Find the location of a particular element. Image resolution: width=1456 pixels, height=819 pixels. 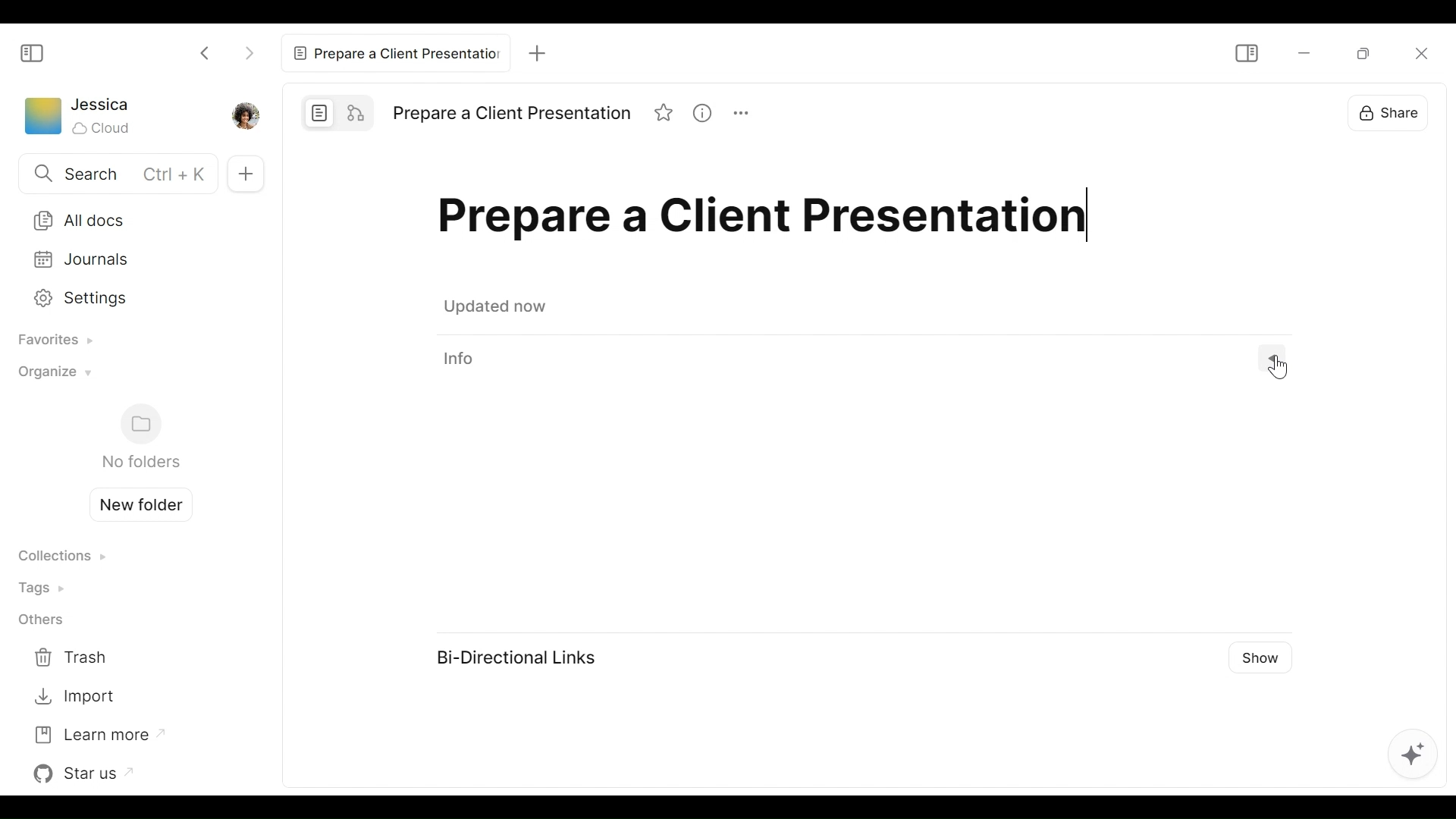

Learn more is located at coordinates (98, 733).